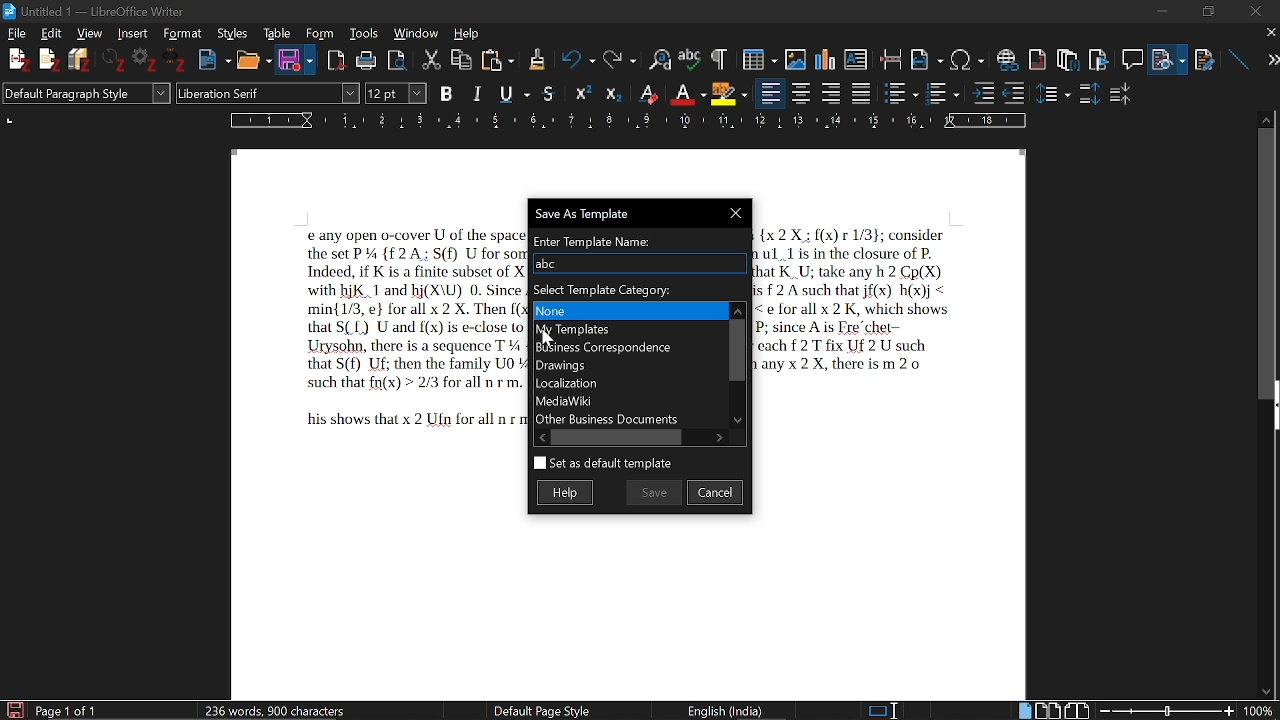 The image size is (1280, 720). What do you see at coordinates (366, 59) in the screenshot?
I see `print` at bounding box center [366, 59].